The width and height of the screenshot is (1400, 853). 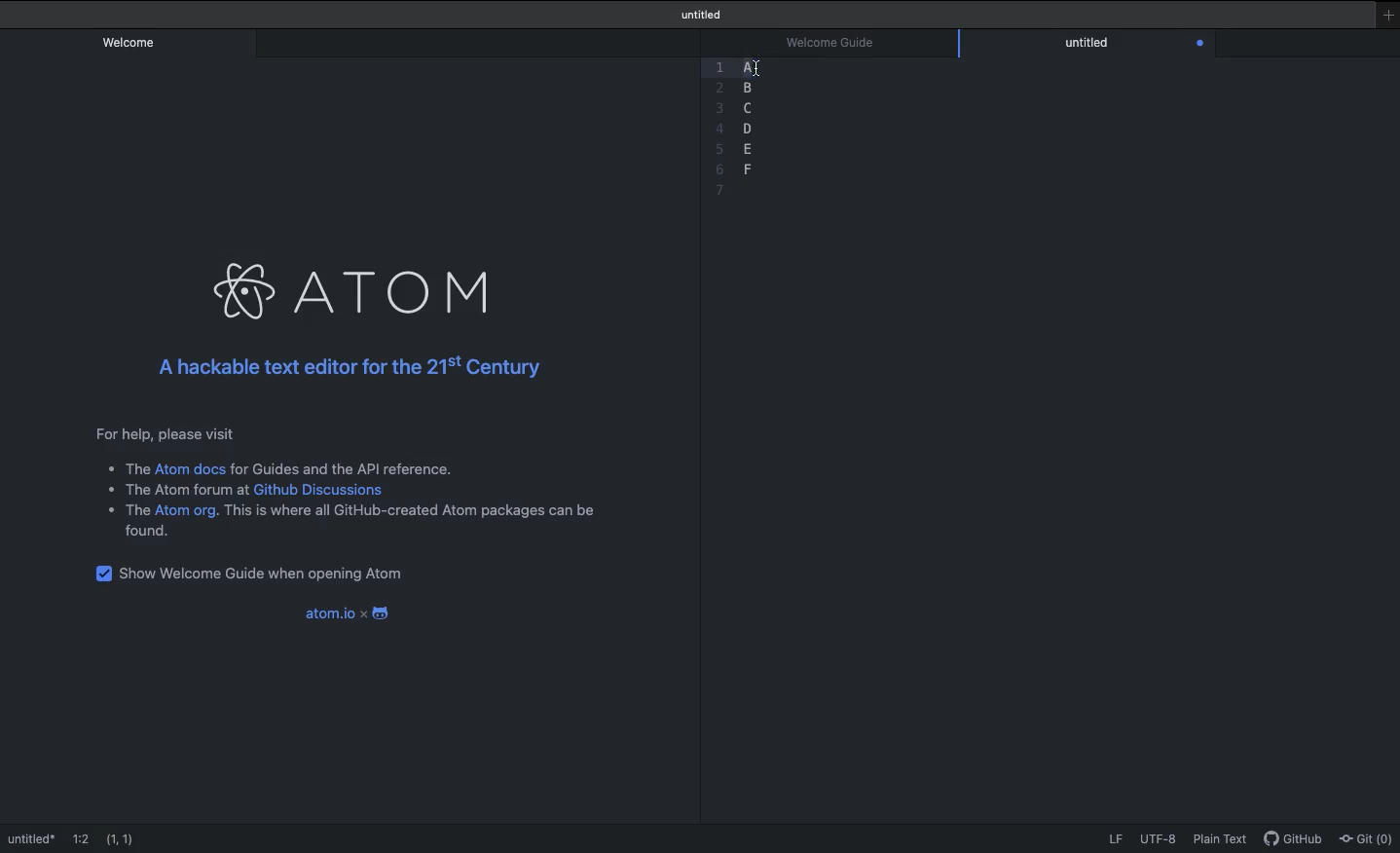 What do you see at coordinates (51, 838) in the screenshot?
I see `Welcome guide` at bounding box center [51, 838].